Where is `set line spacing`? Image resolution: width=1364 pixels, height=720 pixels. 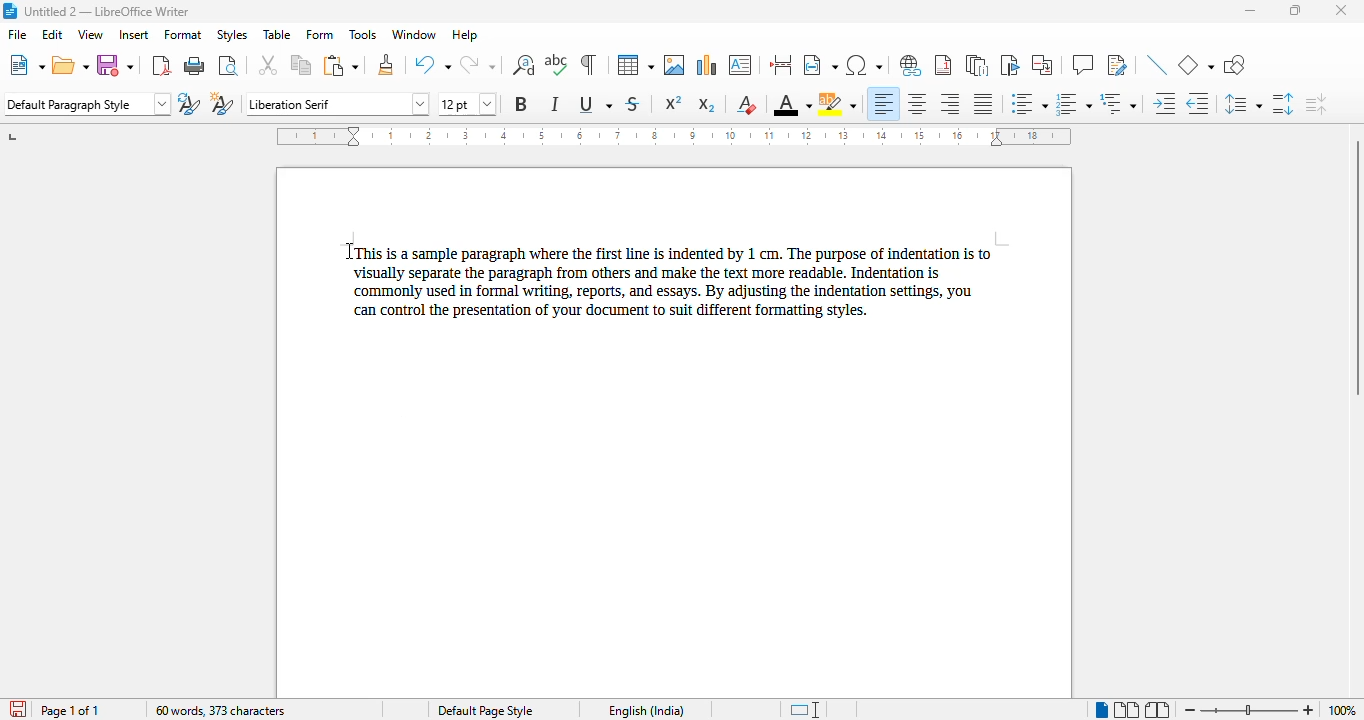 set line spacing is located at coordinates (1243, 104).